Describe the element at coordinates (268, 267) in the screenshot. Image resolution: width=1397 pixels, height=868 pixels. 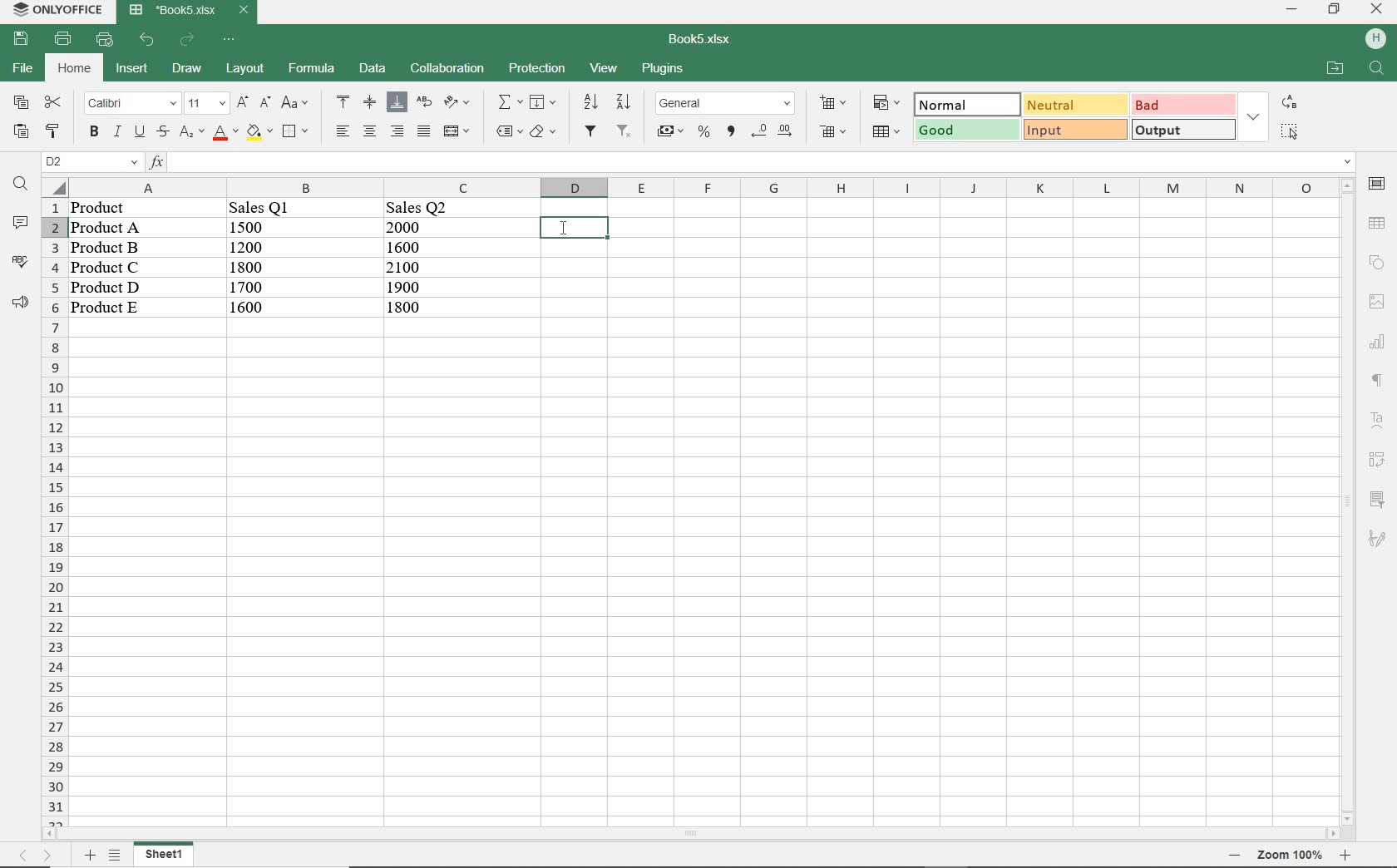
I see `data` at that location.